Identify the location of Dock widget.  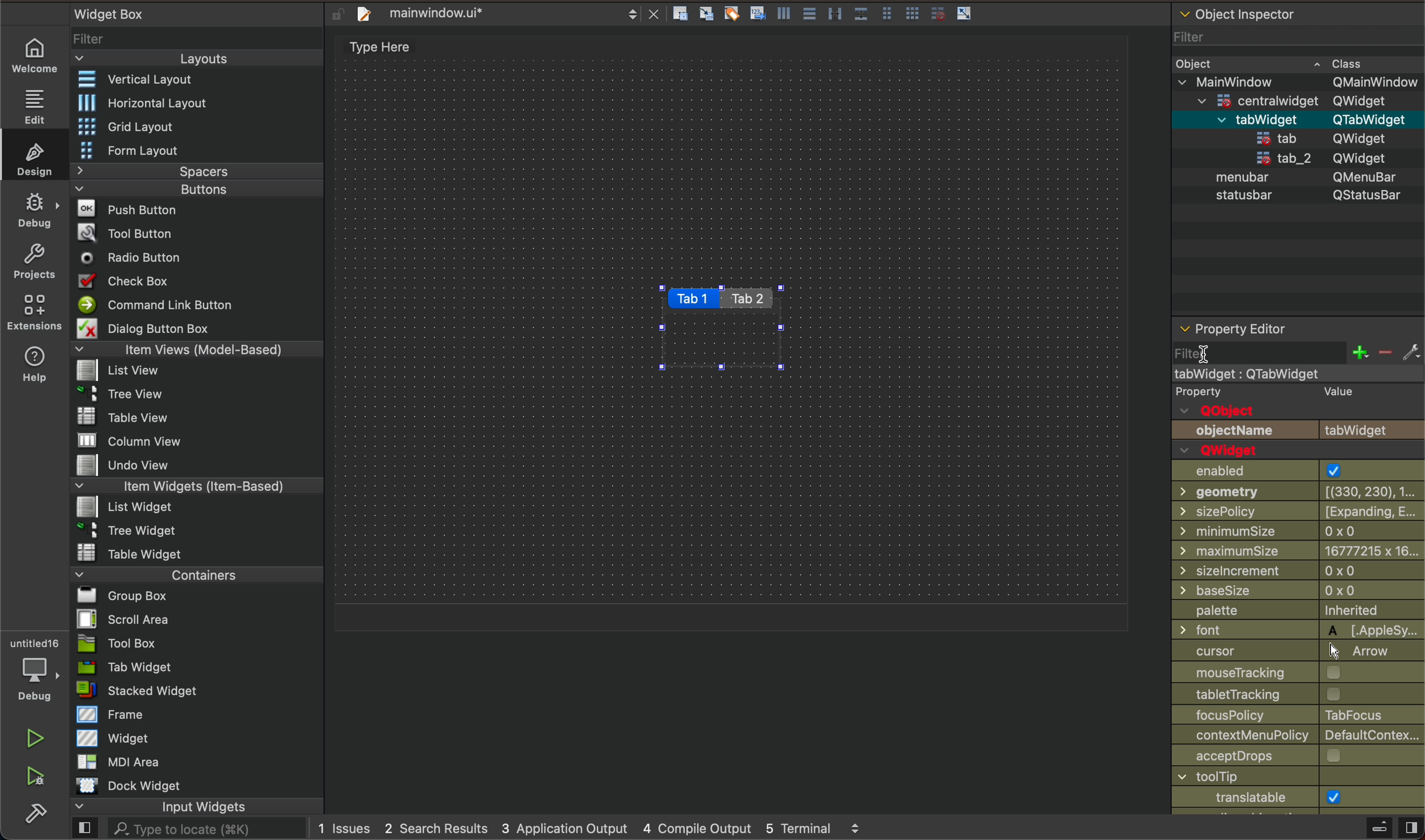
(146, 786).